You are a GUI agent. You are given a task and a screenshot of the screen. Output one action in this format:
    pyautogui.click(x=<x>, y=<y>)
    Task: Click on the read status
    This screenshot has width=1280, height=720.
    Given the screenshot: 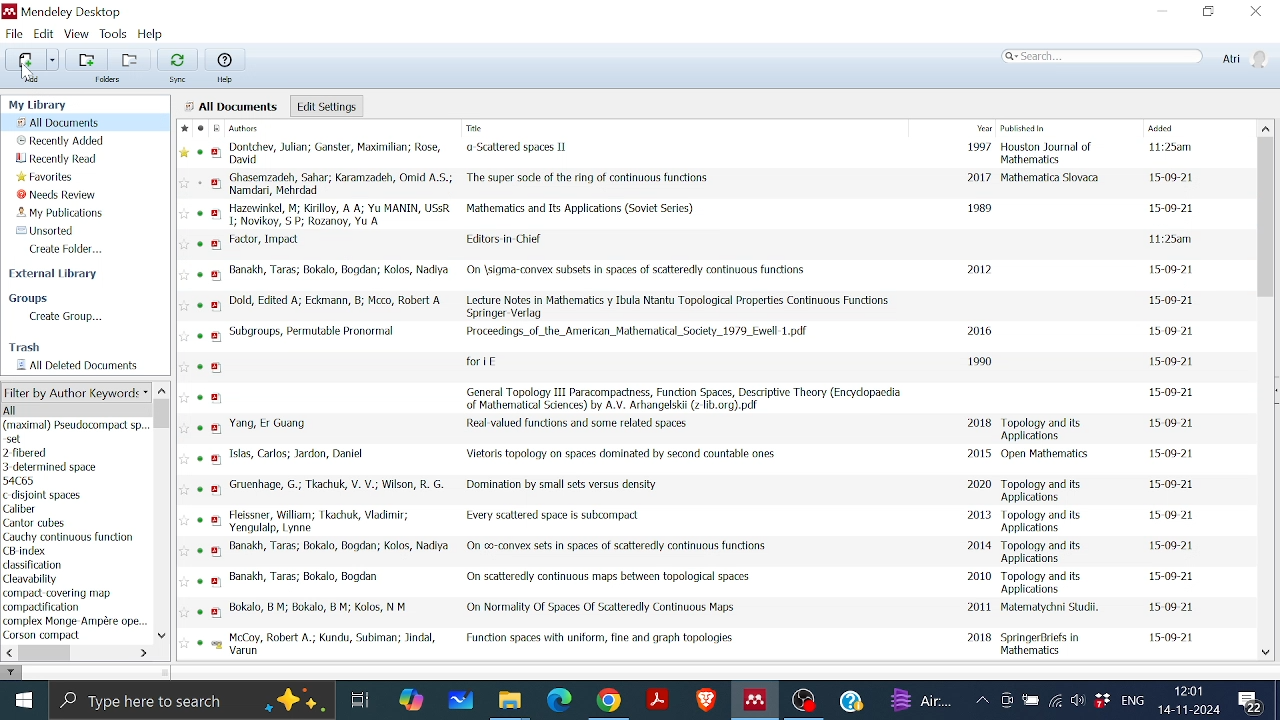 What is the action you would take?
    pyautogui.click(x=202, y=460)
    